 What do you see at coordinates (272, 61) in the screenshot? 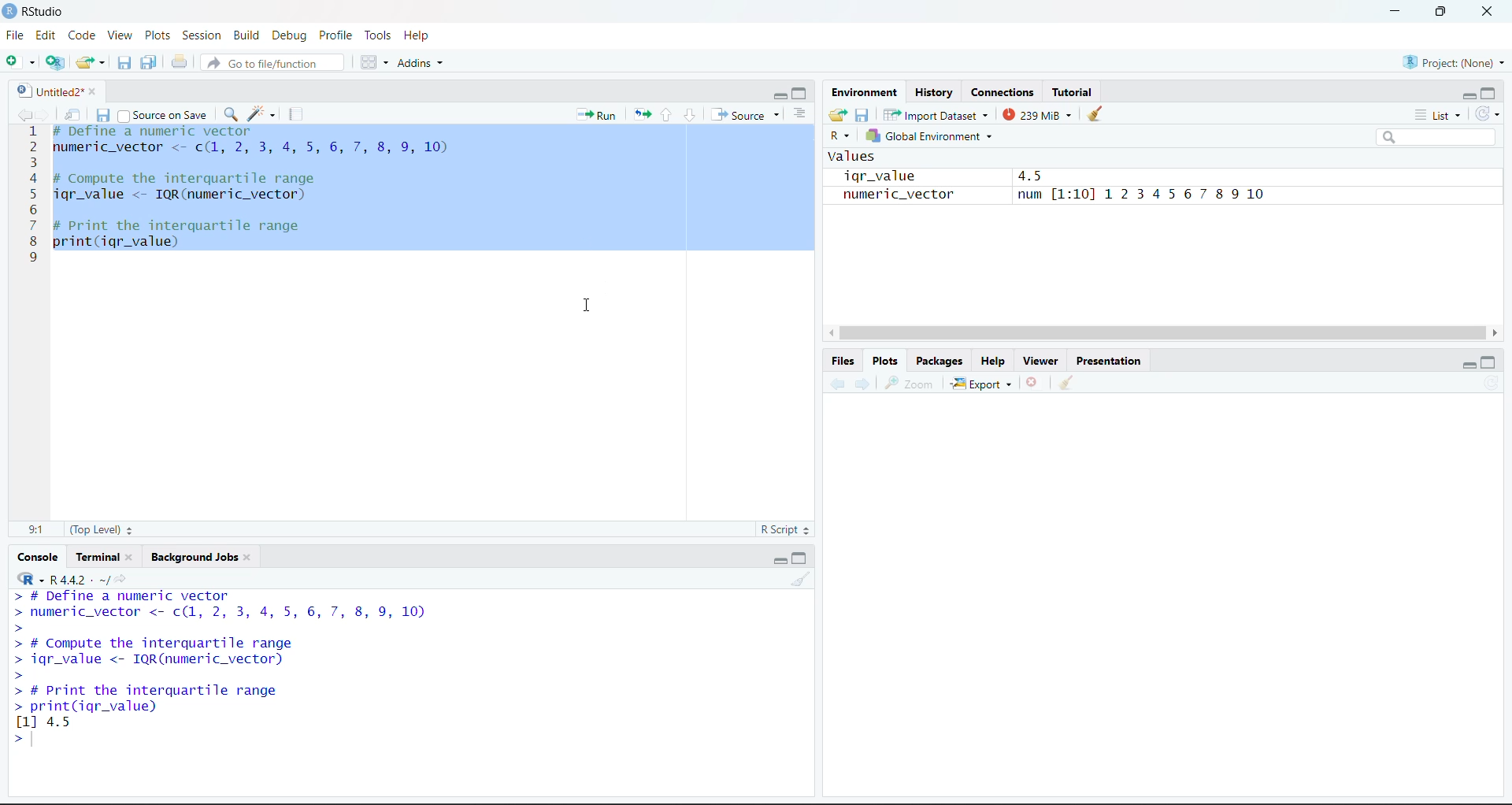
I see `Go to file/function` at bounding box center [272, 61].